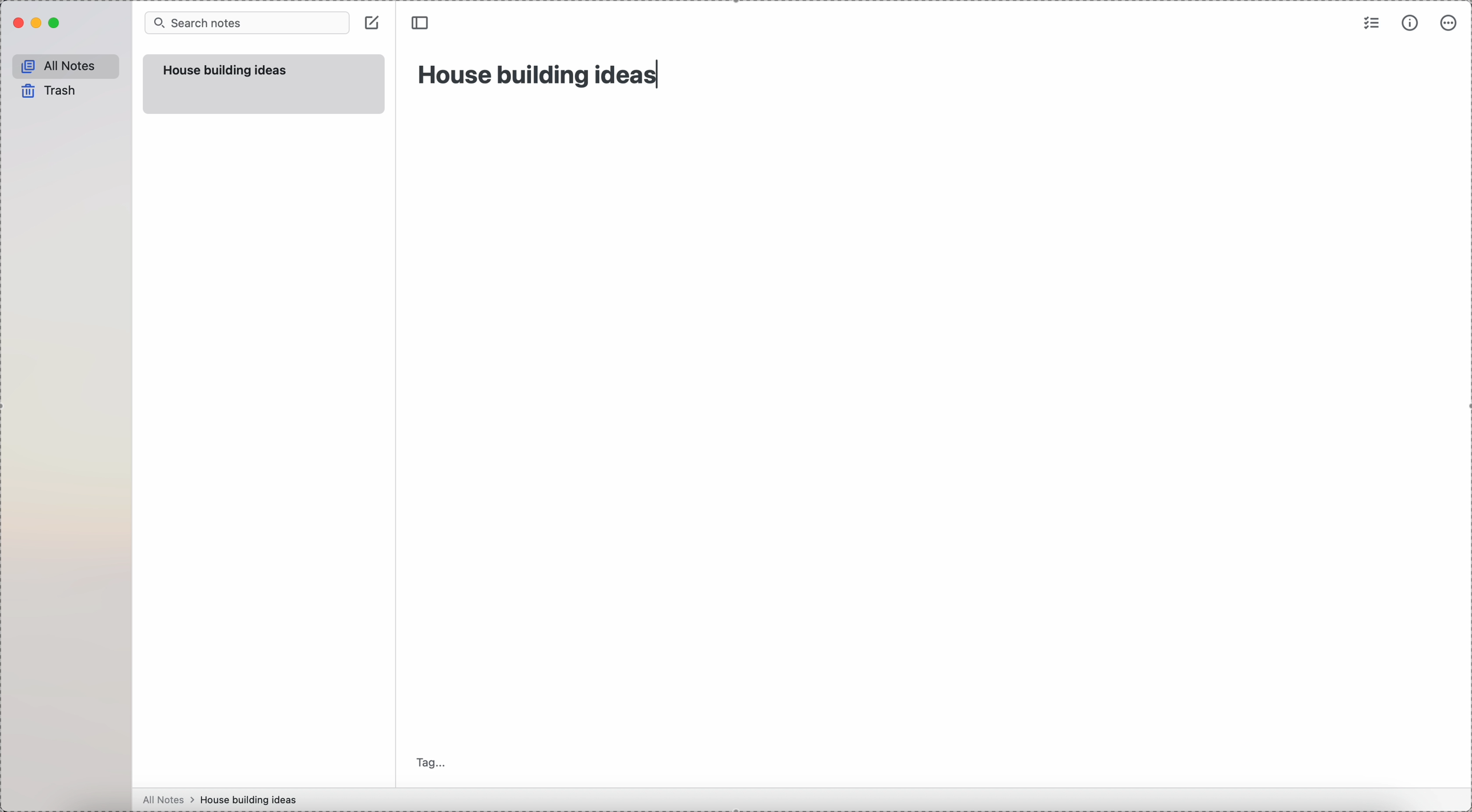 This screenshot has width=1472, height=812. What do you see at coordinates (251, 799) in the screenshot?
I see `house building ideas` at bounding box center [251, 799].